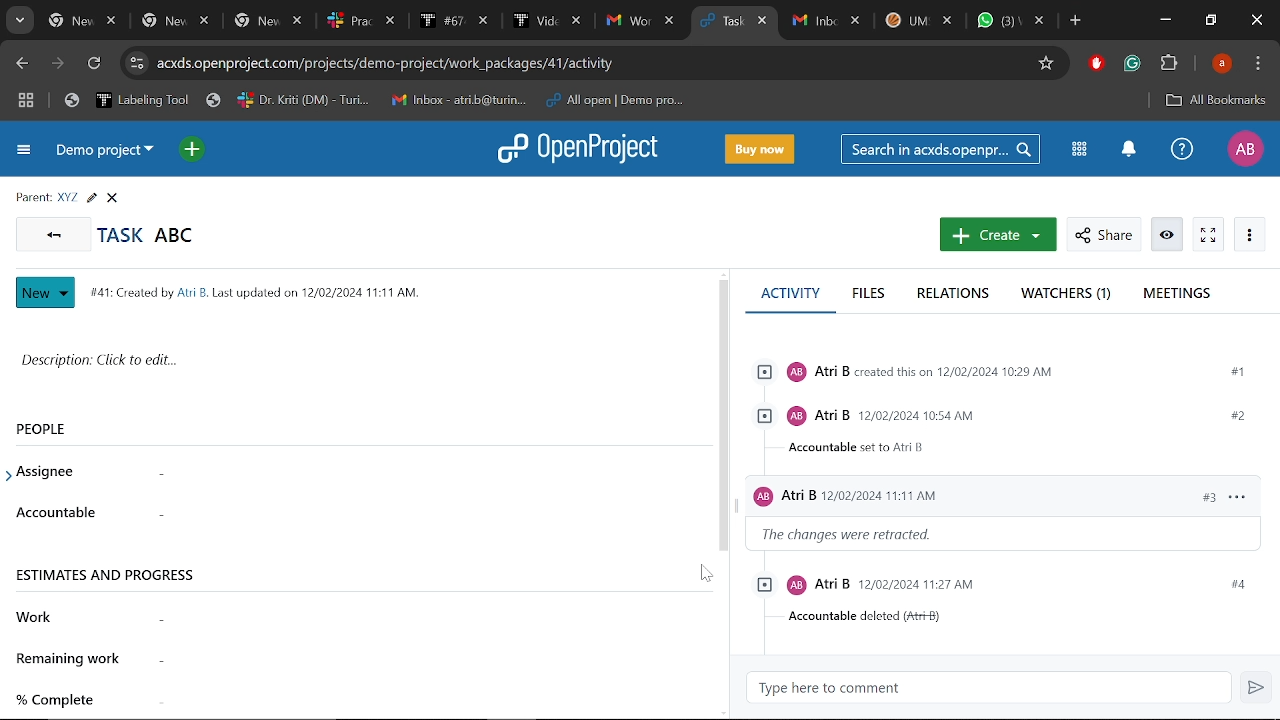  I want to click on Current project, so click(105, 154).